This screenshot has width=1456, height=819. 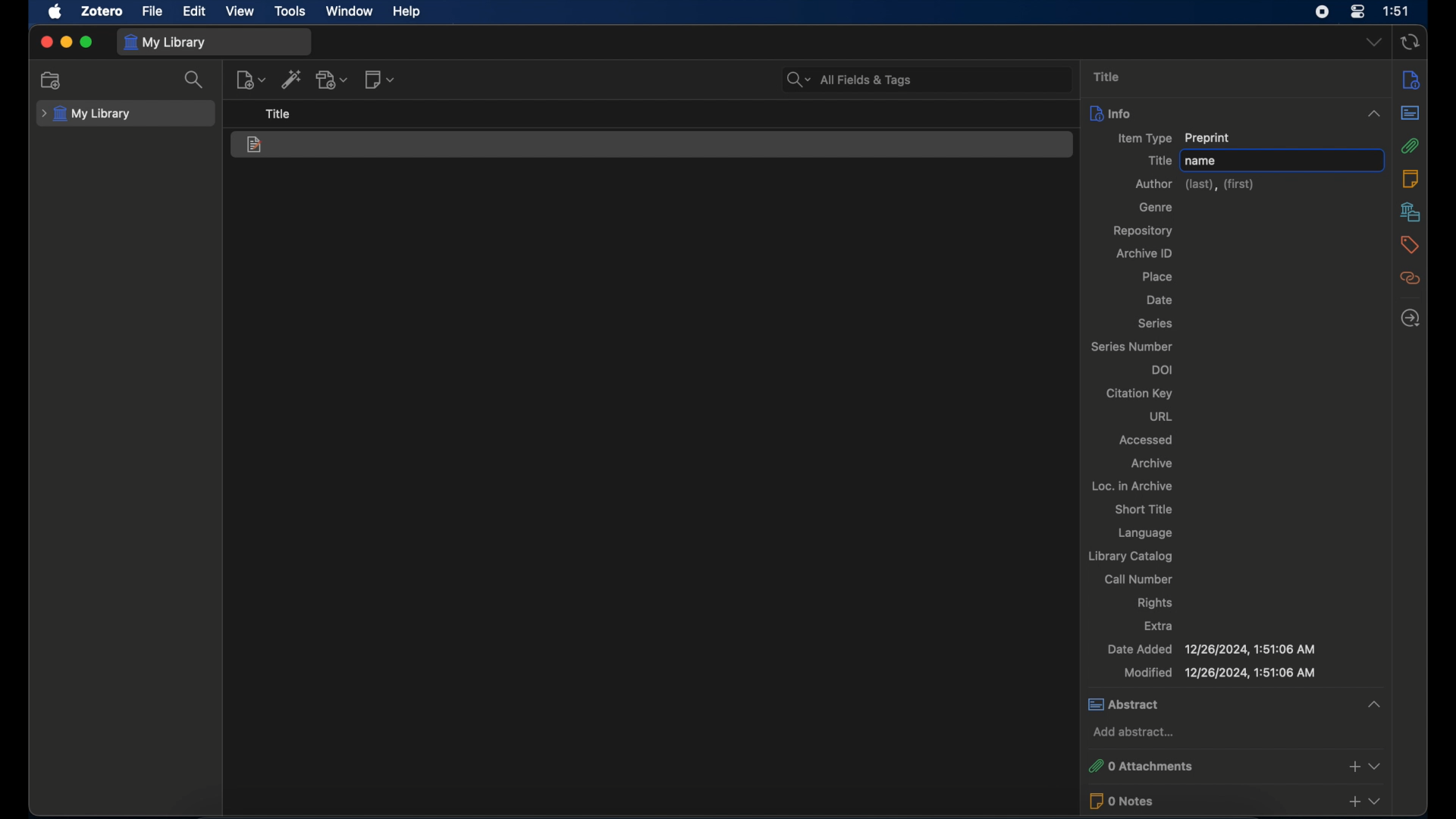 I want to click on info, so click(x=1411, y=81).